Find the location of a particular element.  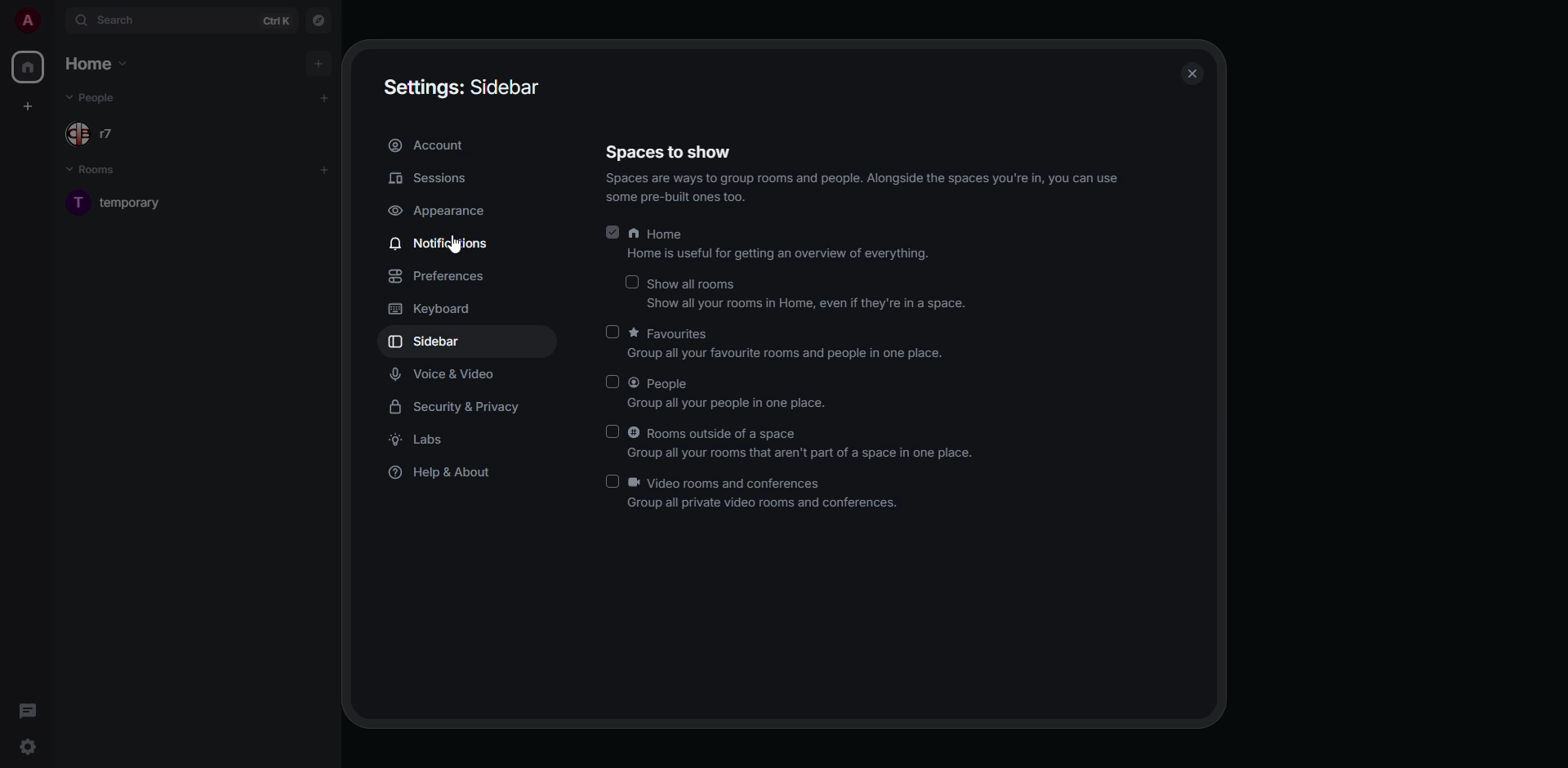

account is located at coordinates (428, 148).